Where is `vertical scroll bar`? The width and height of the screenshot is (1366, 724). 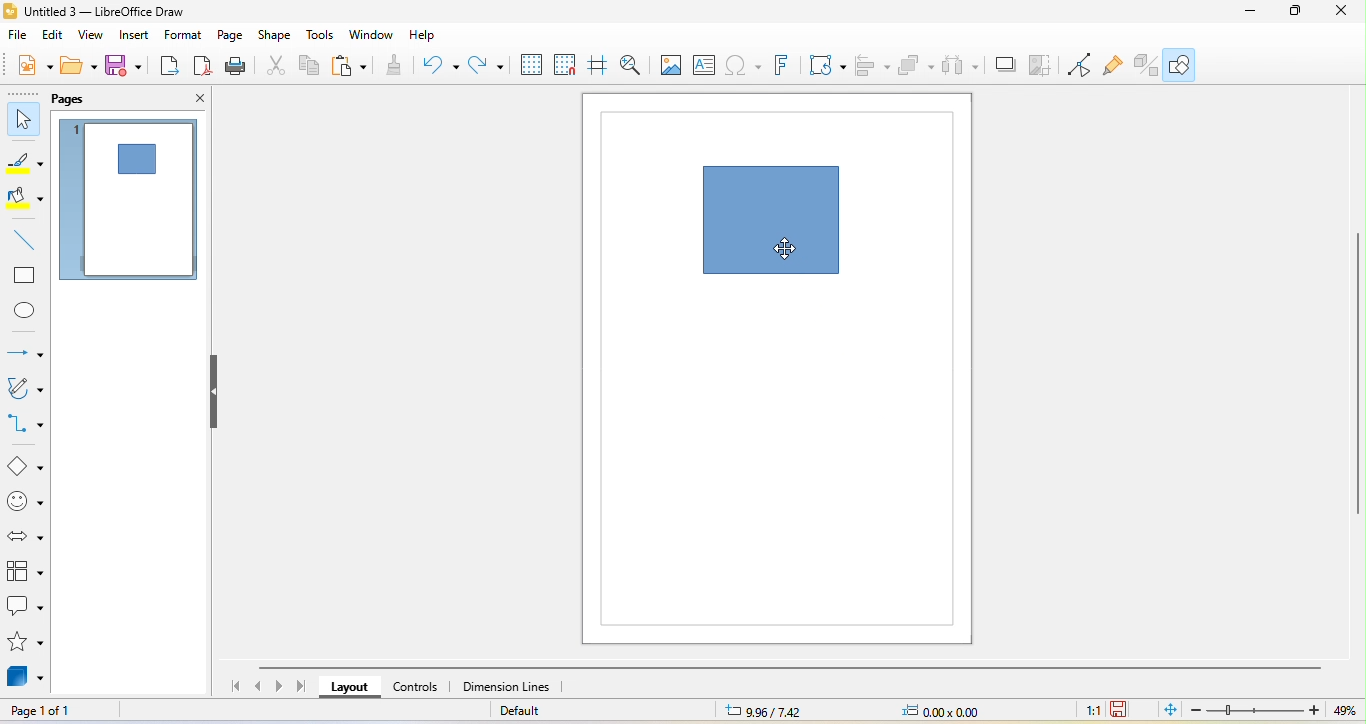 vertical scroll bar is located at coordinates (1357, 375).